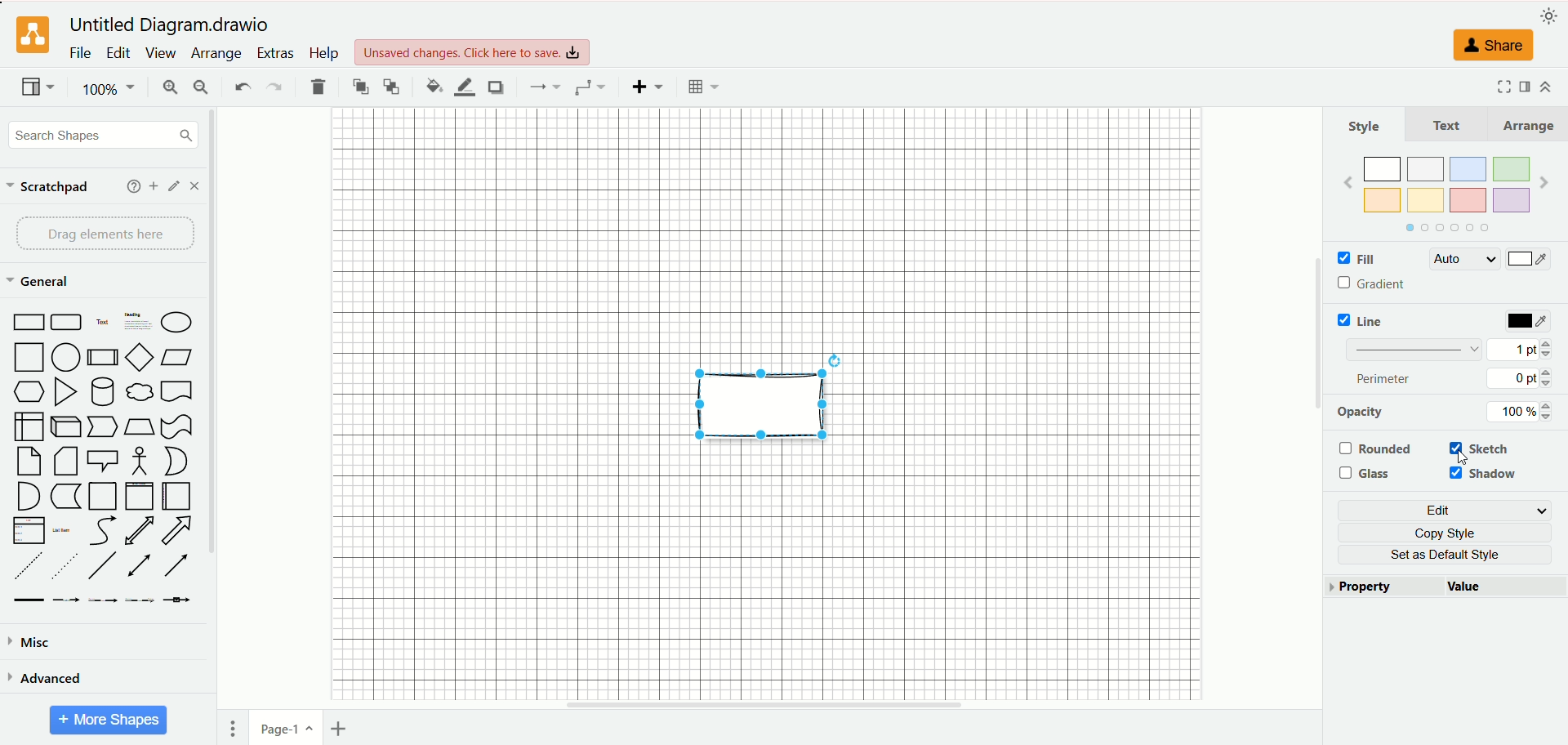 This screenshot has width=1568, height=745. I want to click on page-1, so click(287, 726).